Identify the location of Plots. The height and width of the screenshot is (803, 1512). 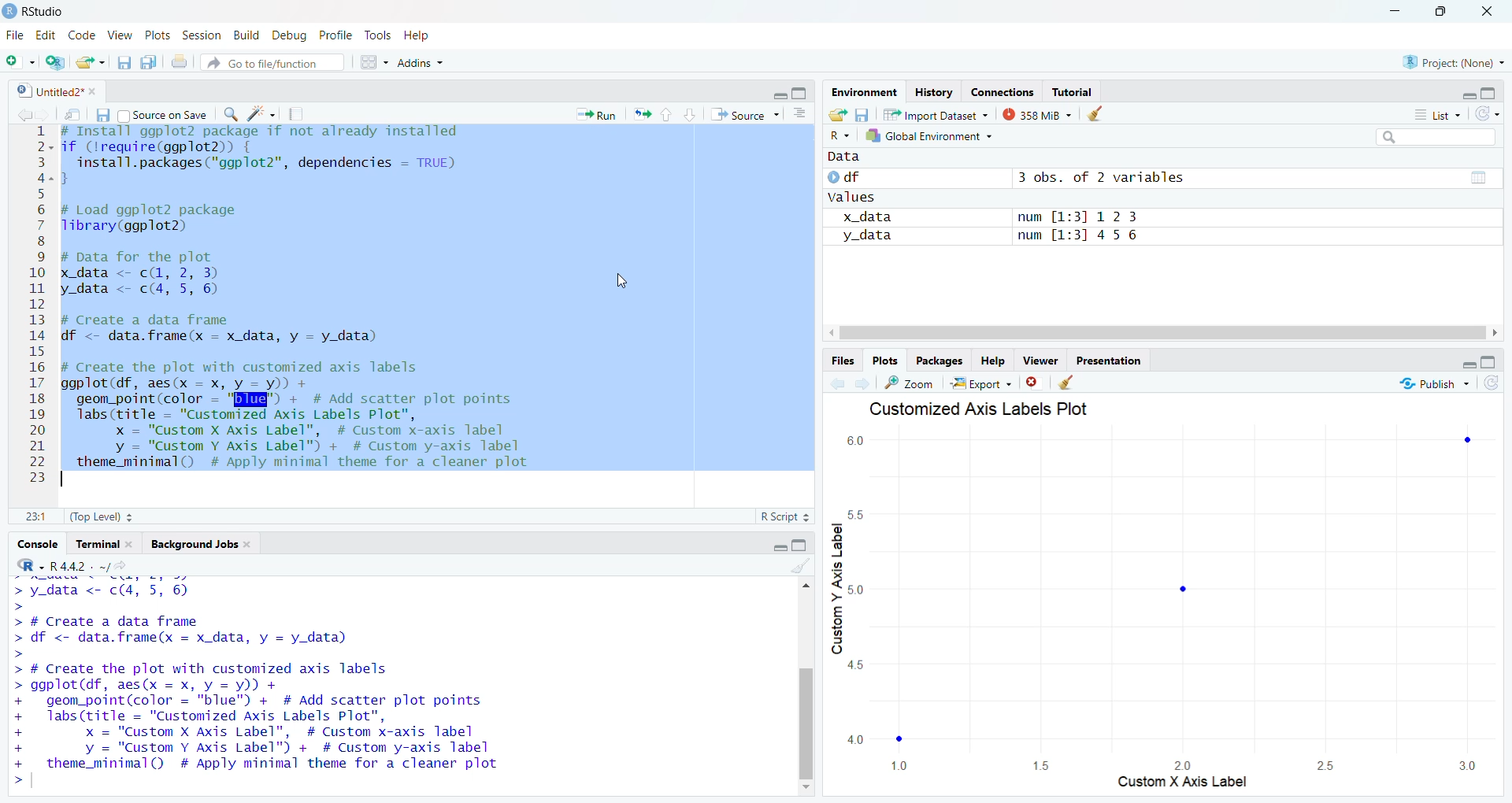
(155, 34).